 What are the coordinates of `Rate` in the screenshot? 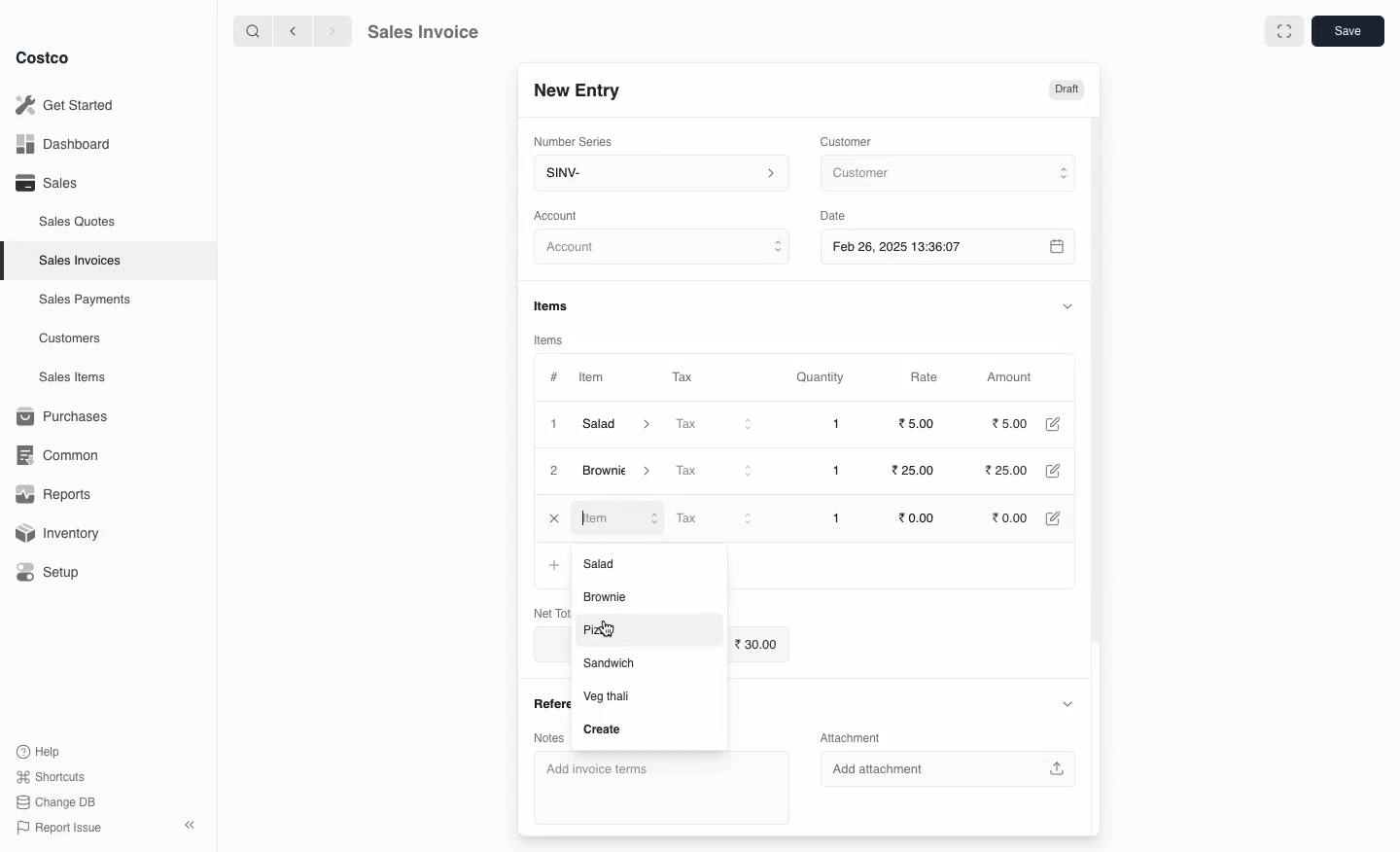 It's located at (927, 377).